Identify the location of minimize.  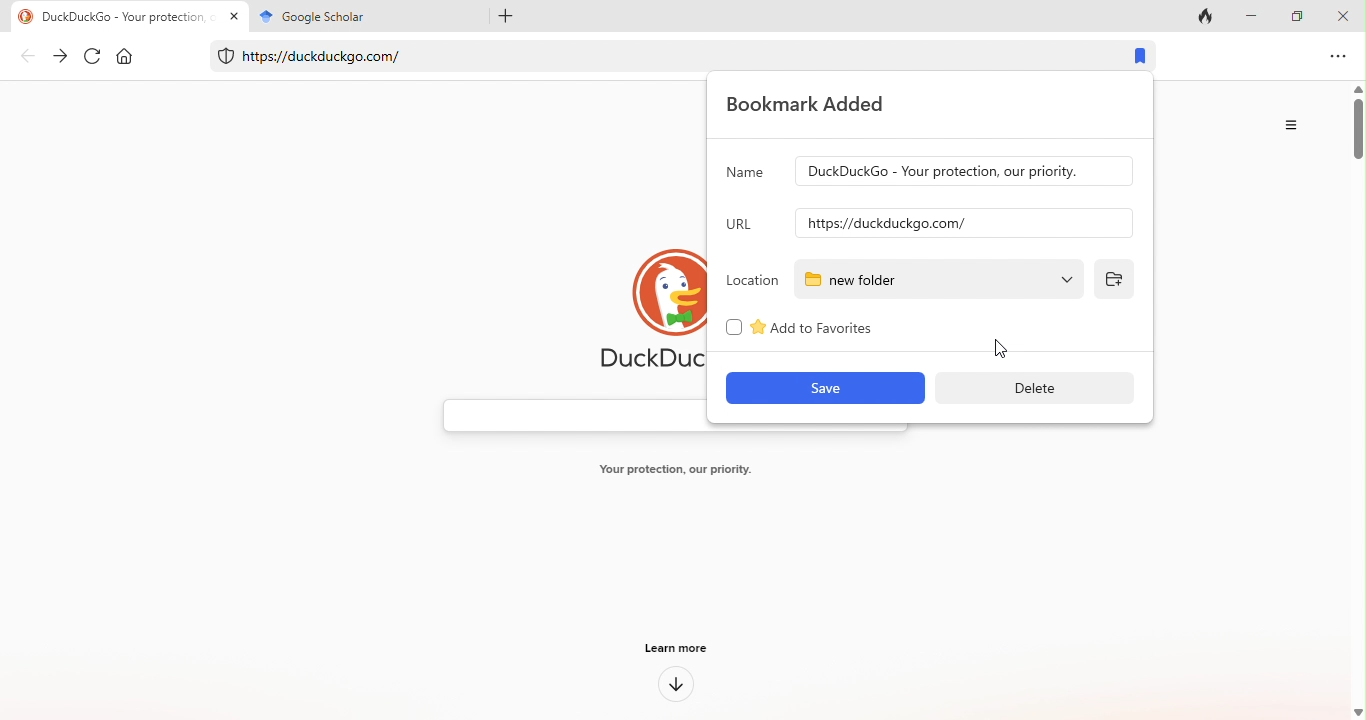
(1255, 15).